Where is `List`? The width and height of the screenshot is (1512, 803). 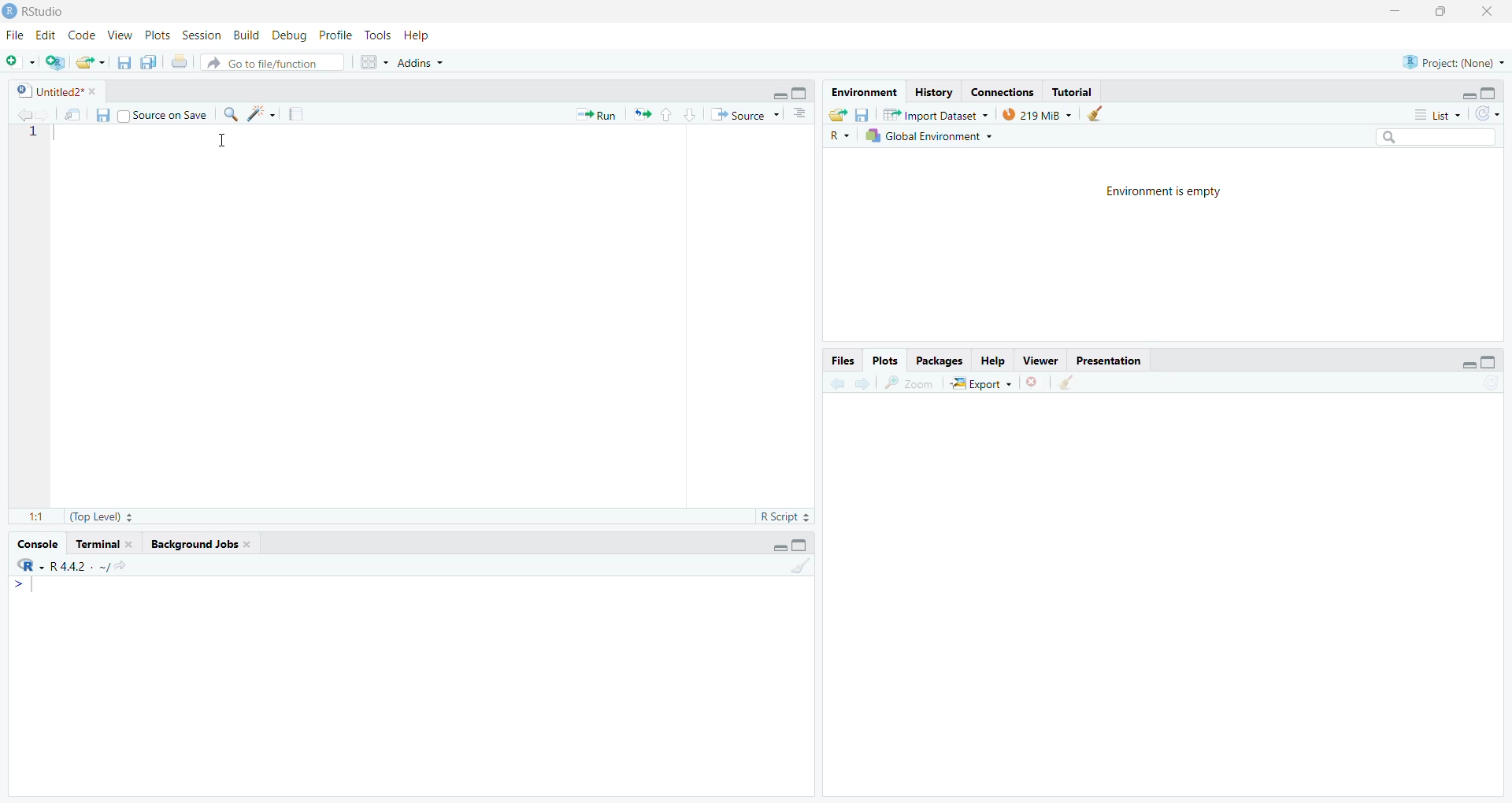
List is located at coordinates (1438, 114).